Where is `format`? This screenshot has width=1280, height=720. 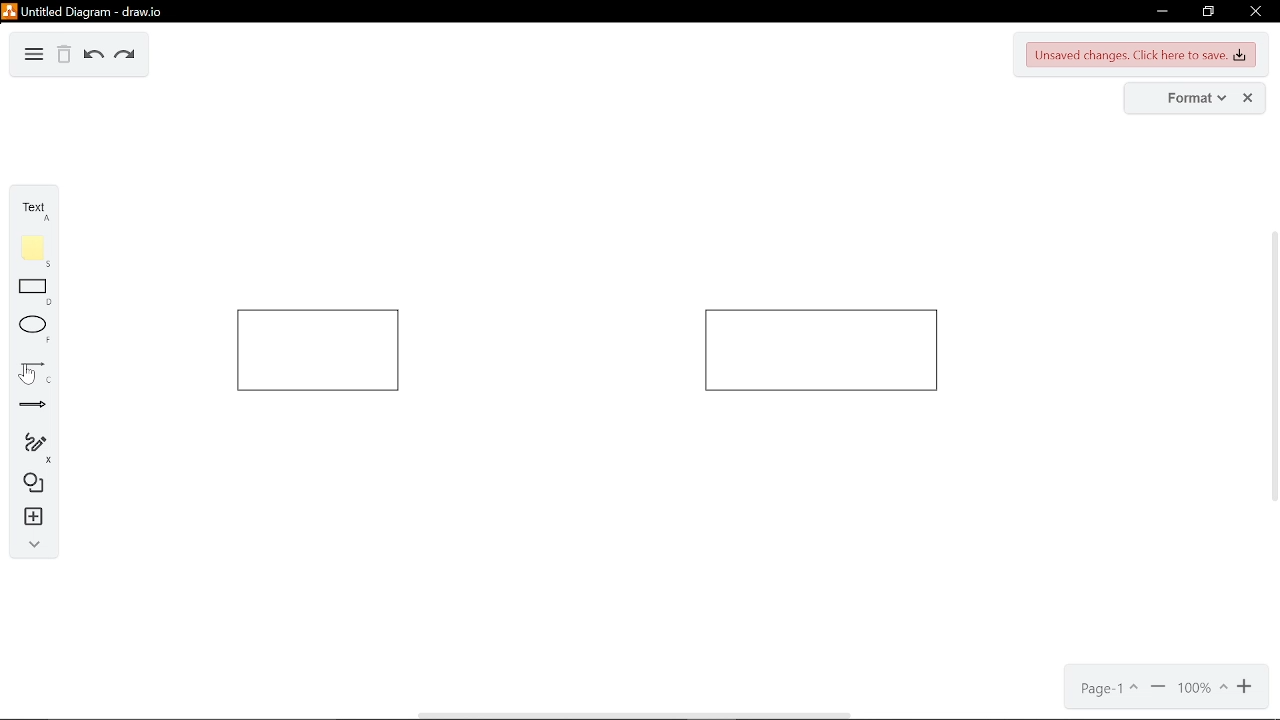 format is located at coordinates (1184, 98).